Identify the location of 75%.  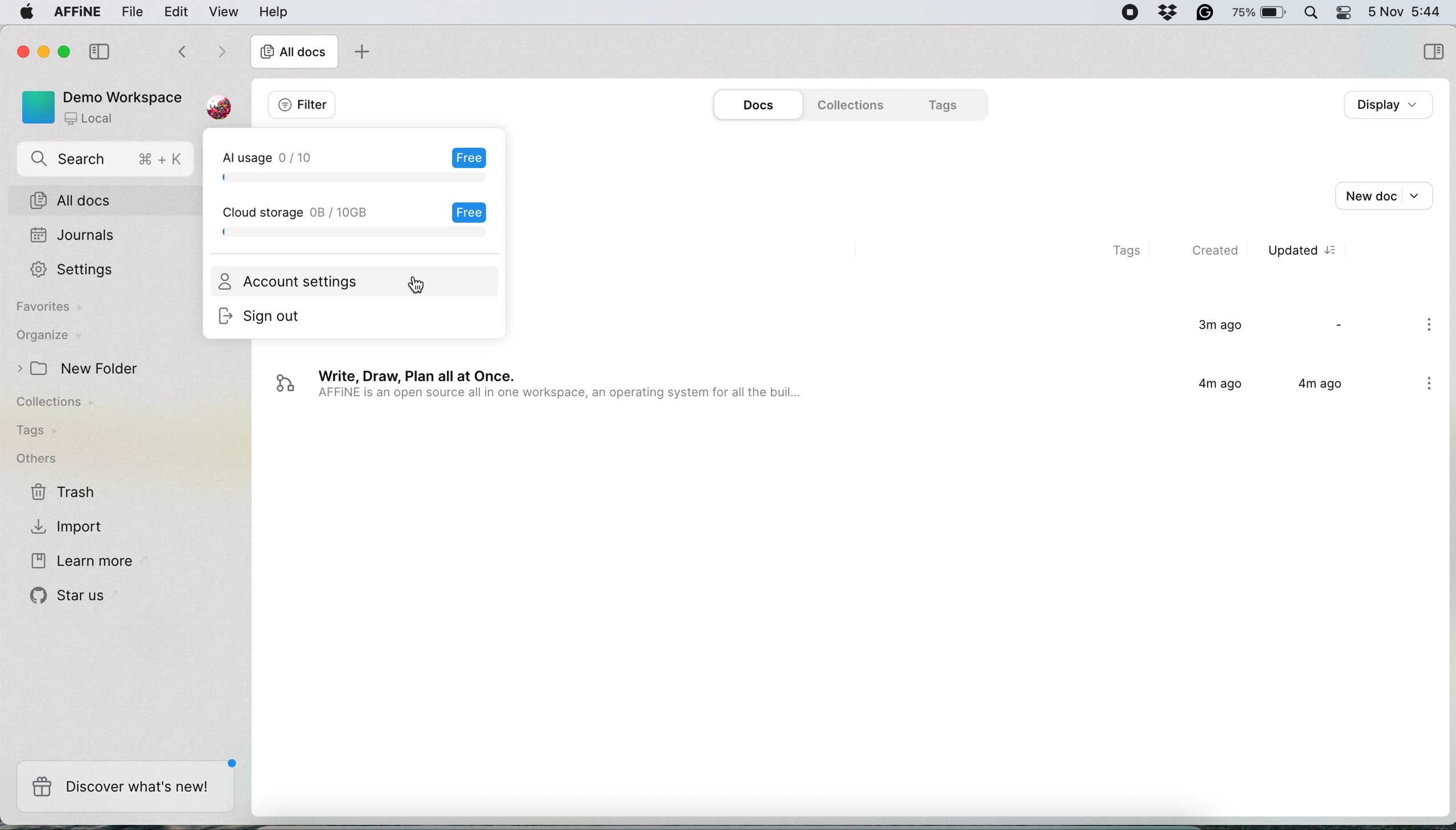
(1260, 14).